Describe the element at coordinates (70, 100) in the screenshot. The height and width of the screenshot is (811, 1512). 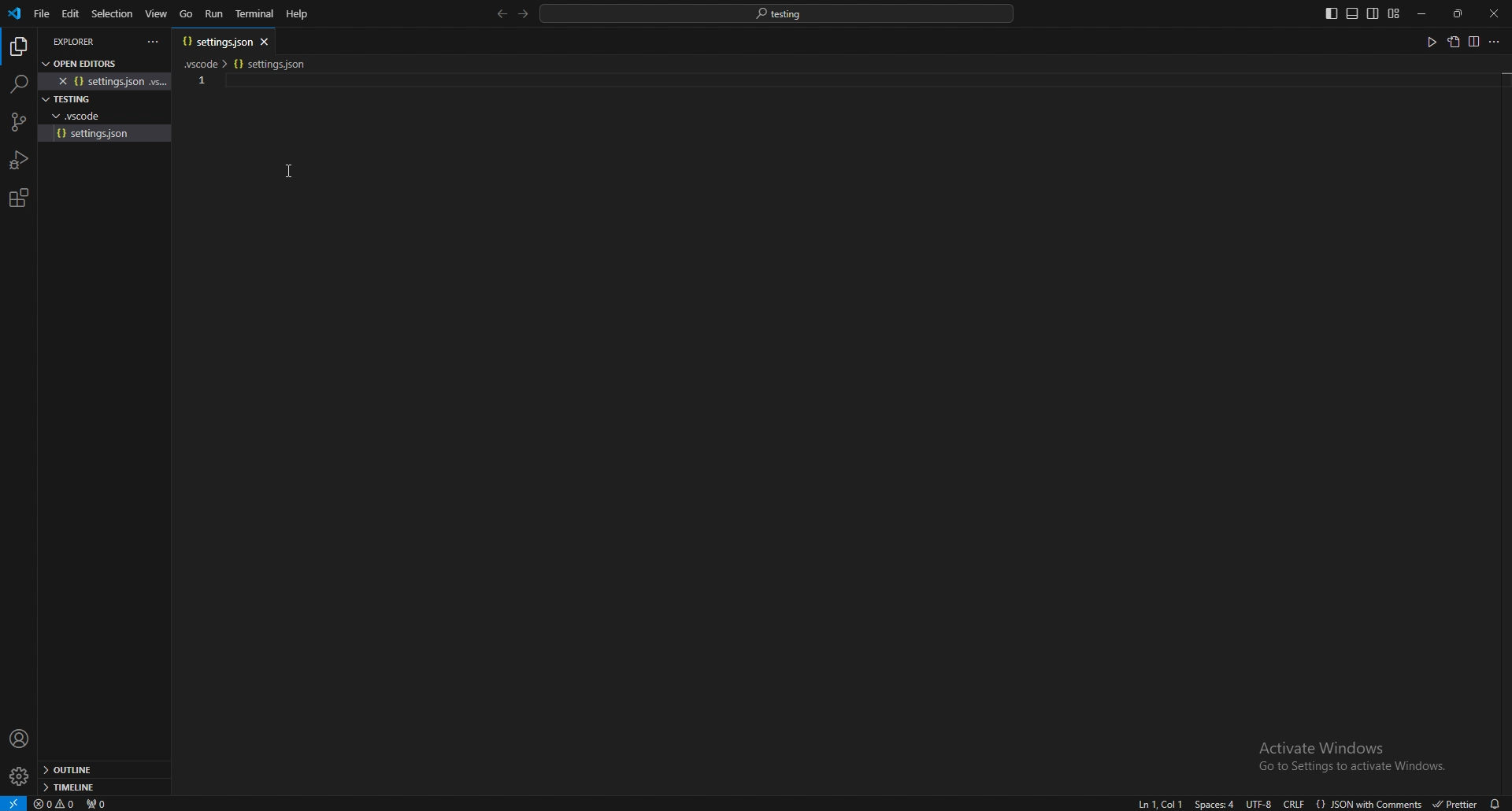
I see `folder name` at that location.